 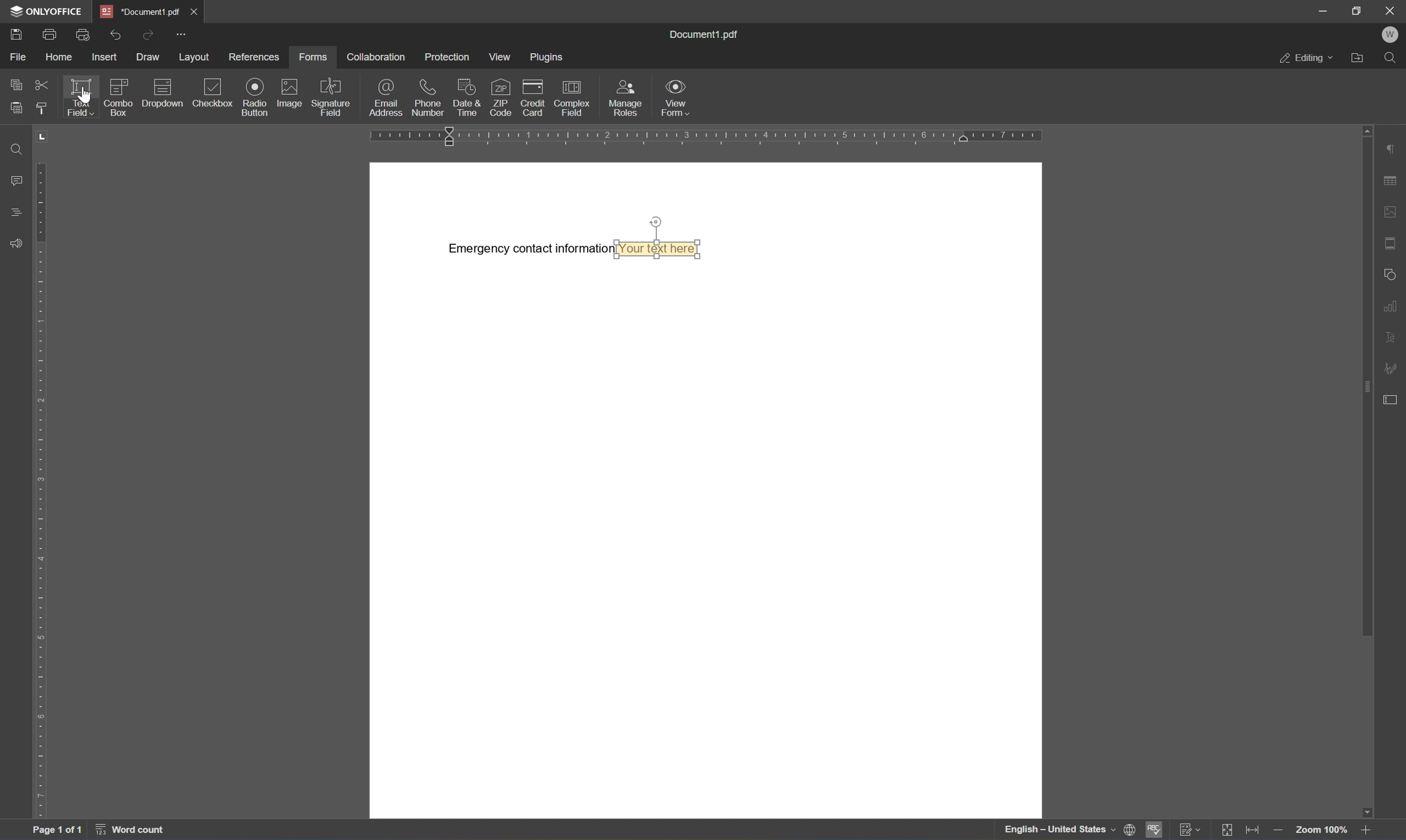 I want to click on copy, so click(x=16, y=84).